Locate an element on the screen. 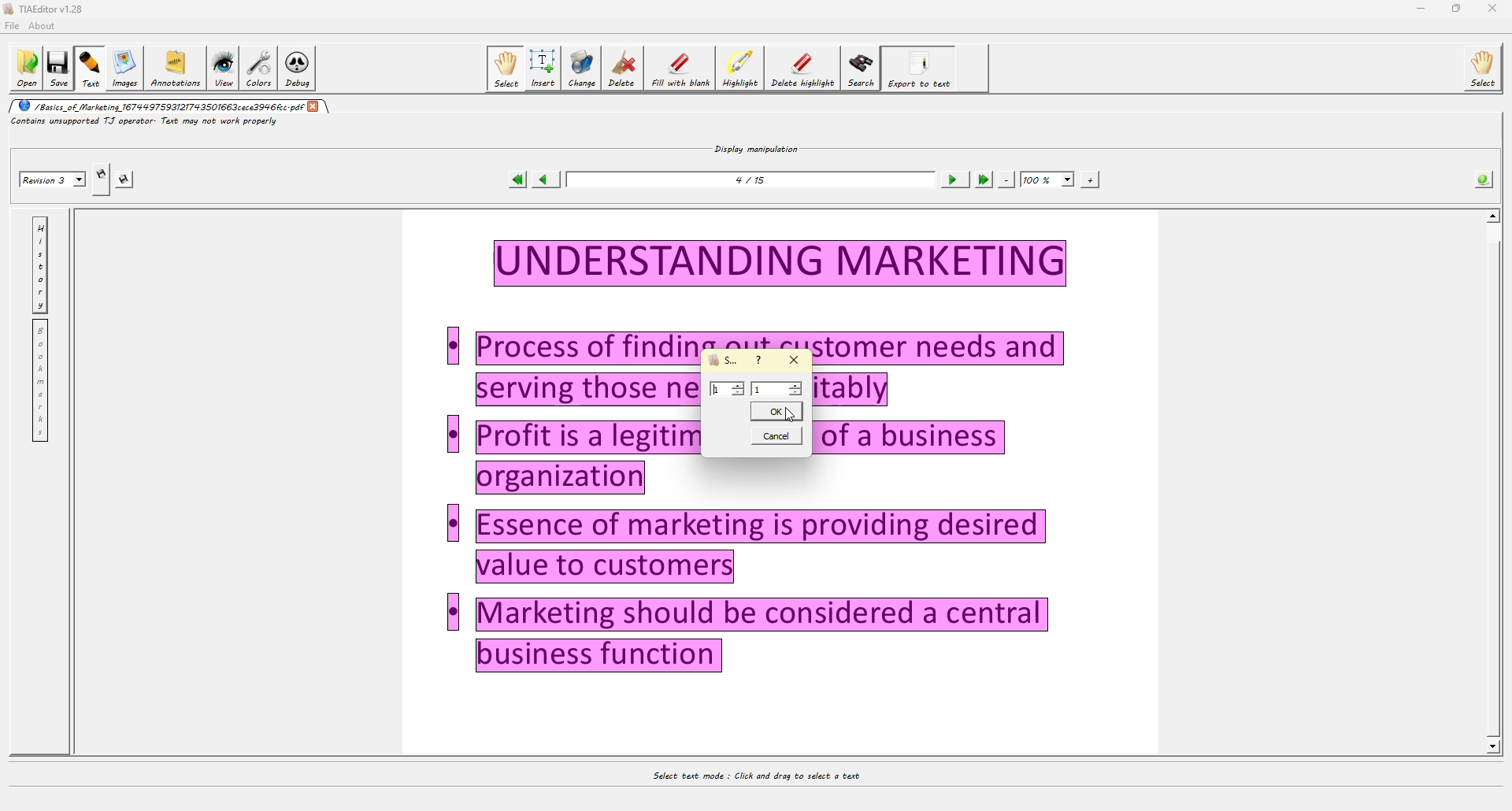 The width and height of the screenshot is (1512, 811). value is located at coordinates (776, 391).